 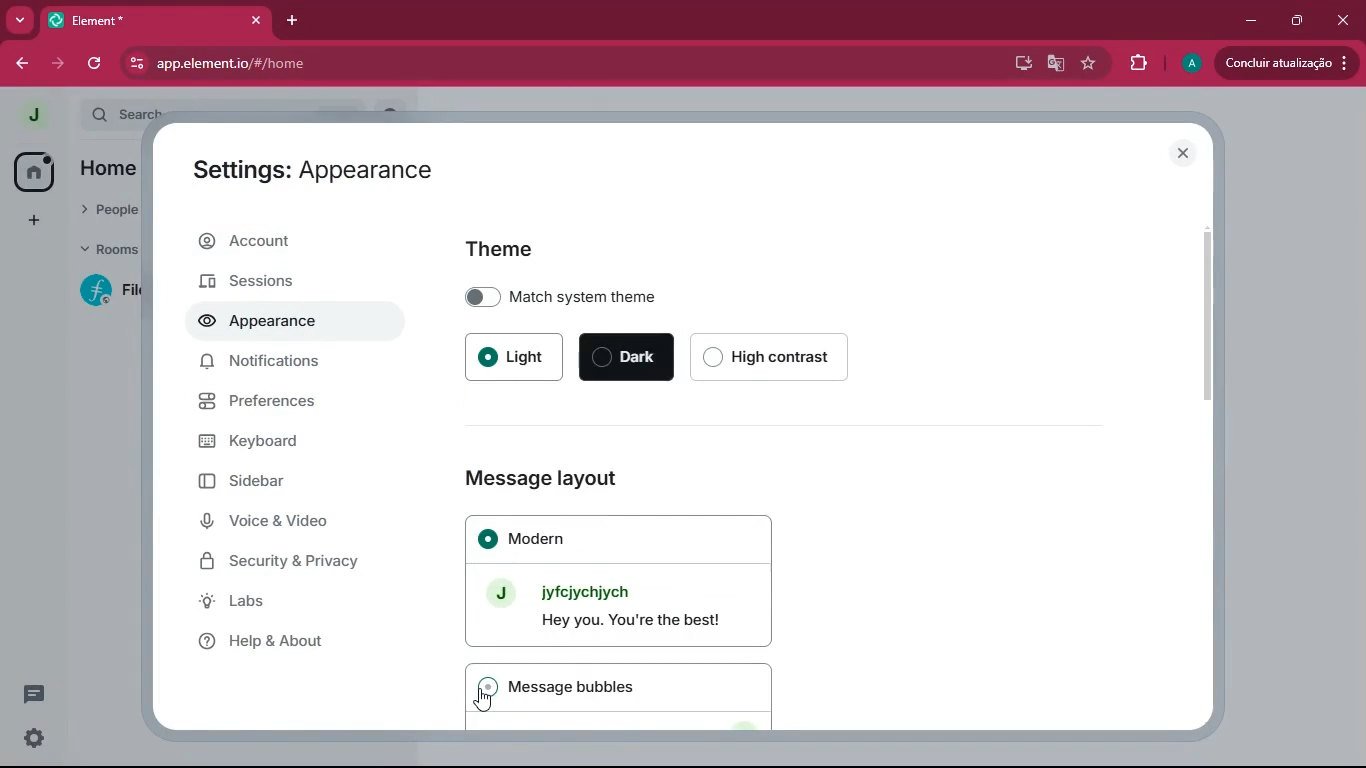 What do you see at coordinates (96, 63) in the screenshot?
I see `refresh` at bounding box center [96, 63].